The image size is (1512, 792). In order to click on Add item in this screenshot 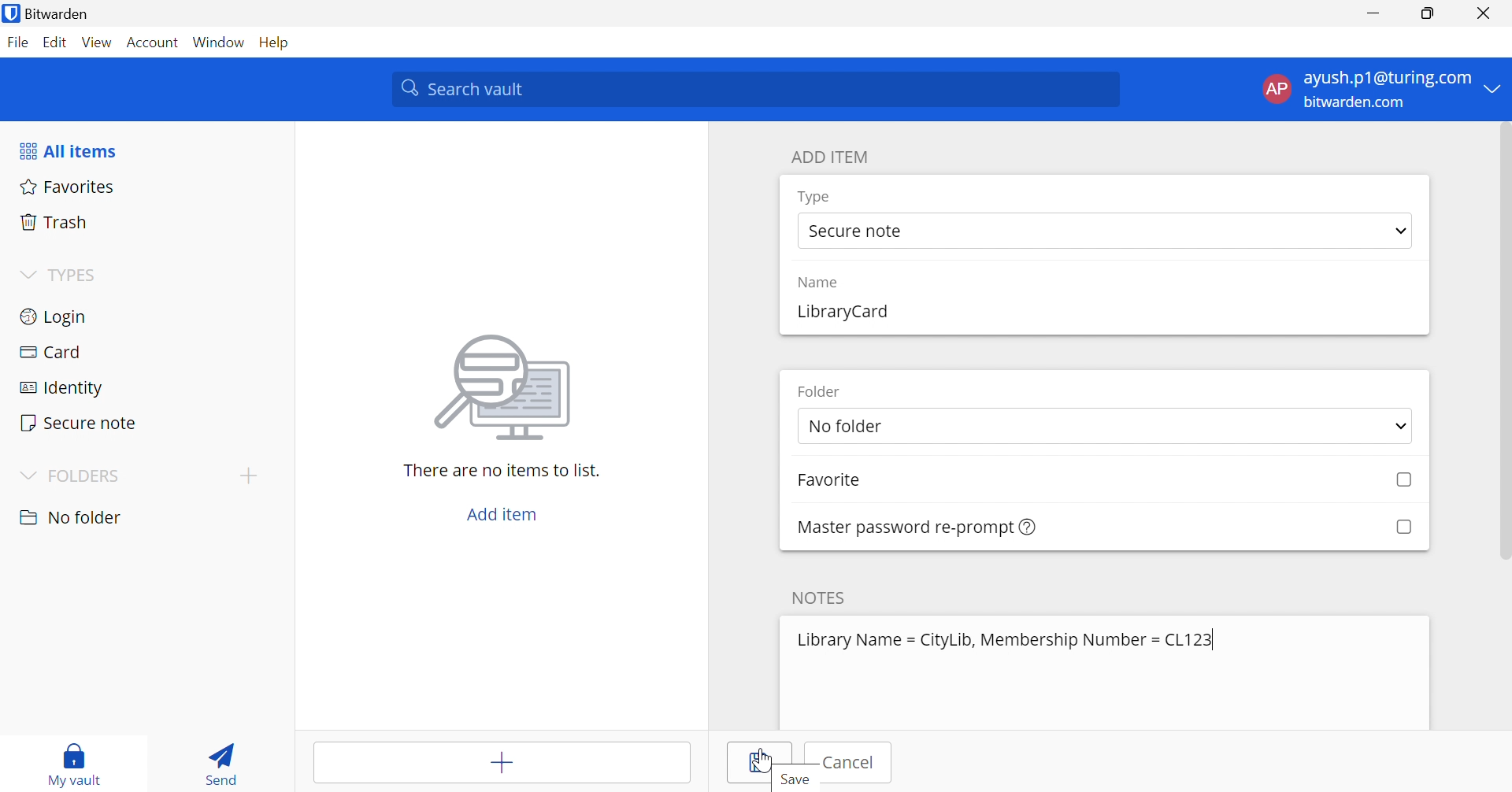, I will do `click(502, 763)`.